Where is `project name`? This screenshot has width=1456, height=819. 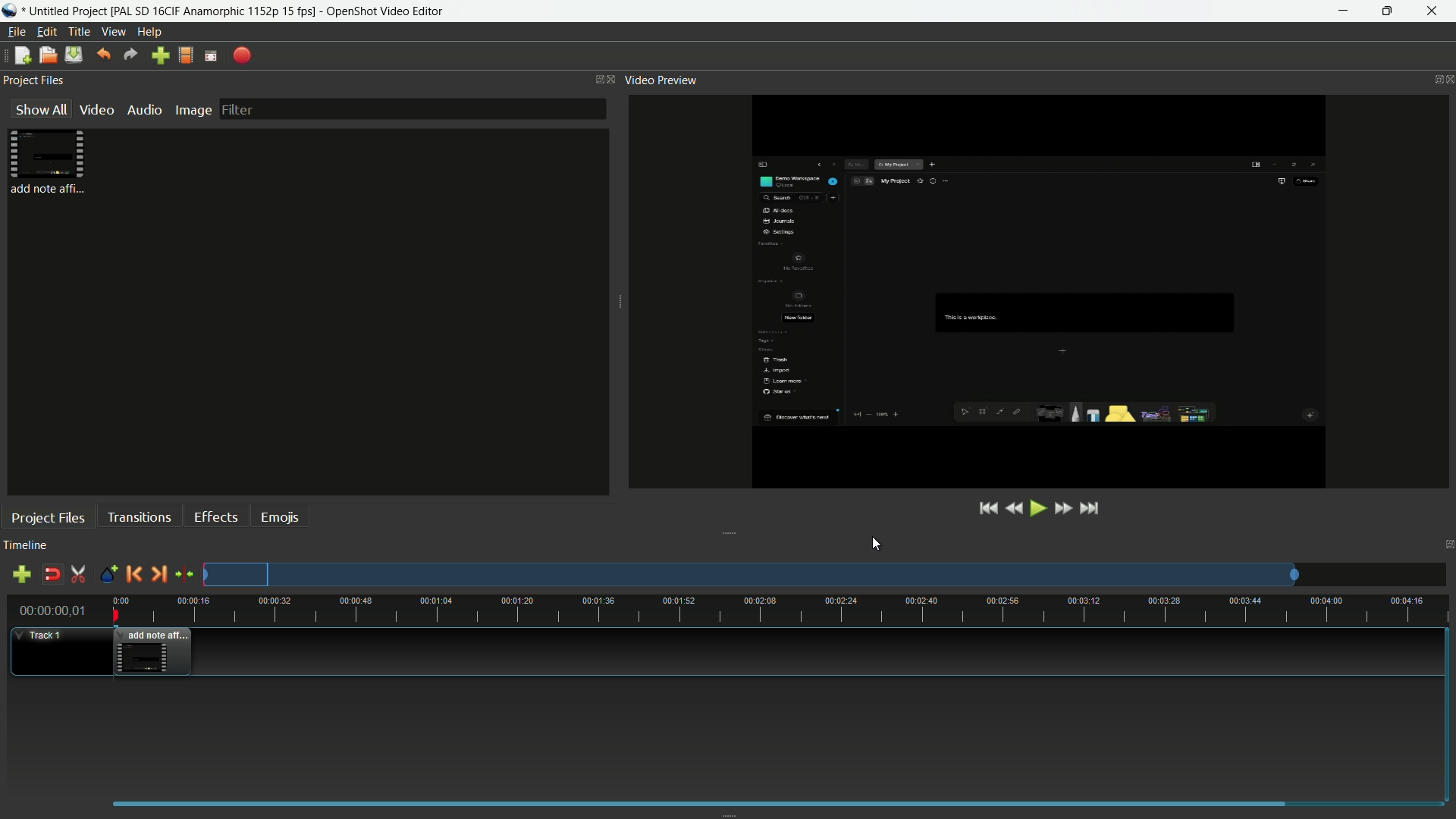 project name is located at coordinates (112, 12).